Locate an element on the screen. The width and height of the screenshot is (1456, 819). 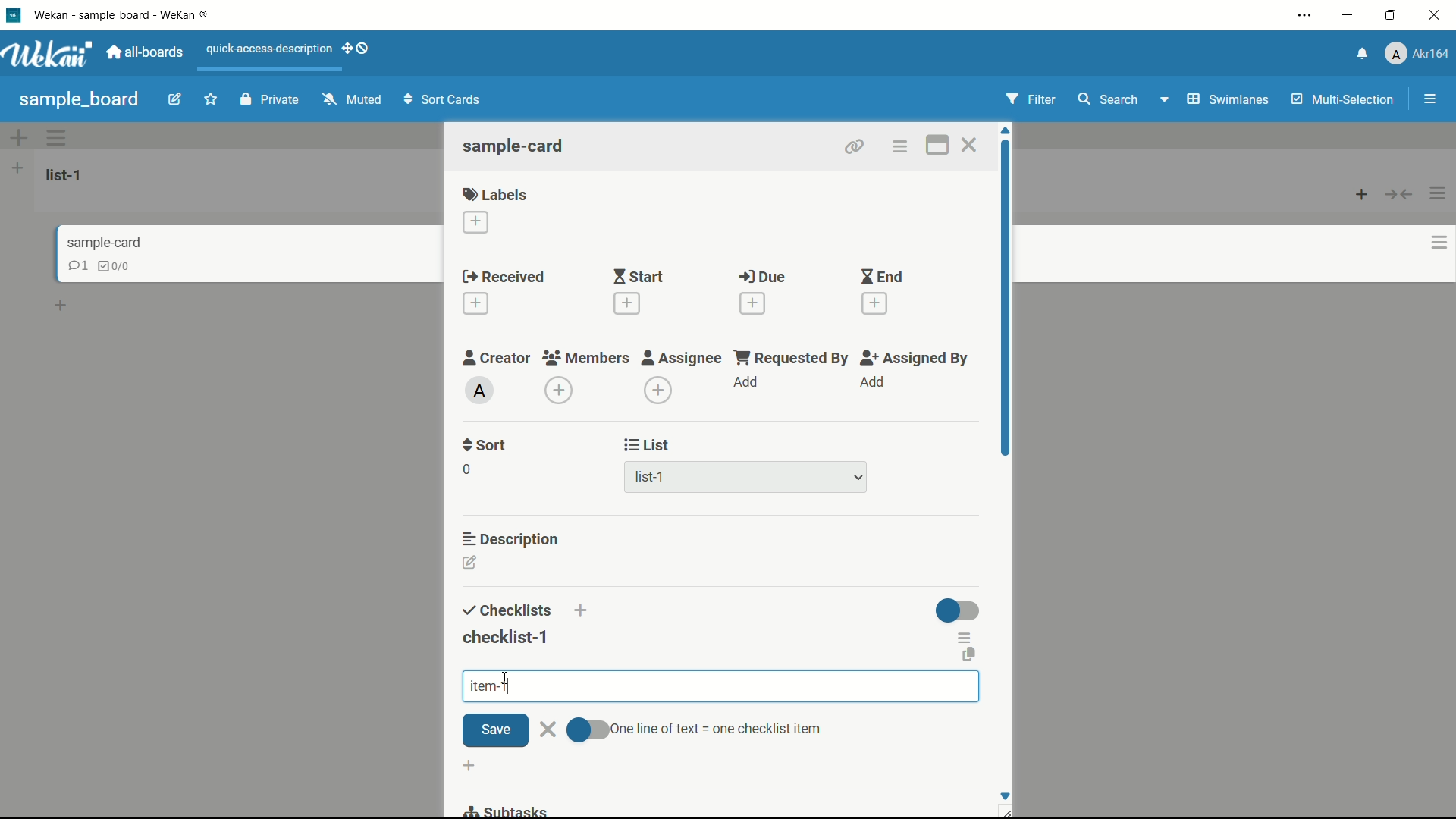
sample board is located at coordinates (78, 99).